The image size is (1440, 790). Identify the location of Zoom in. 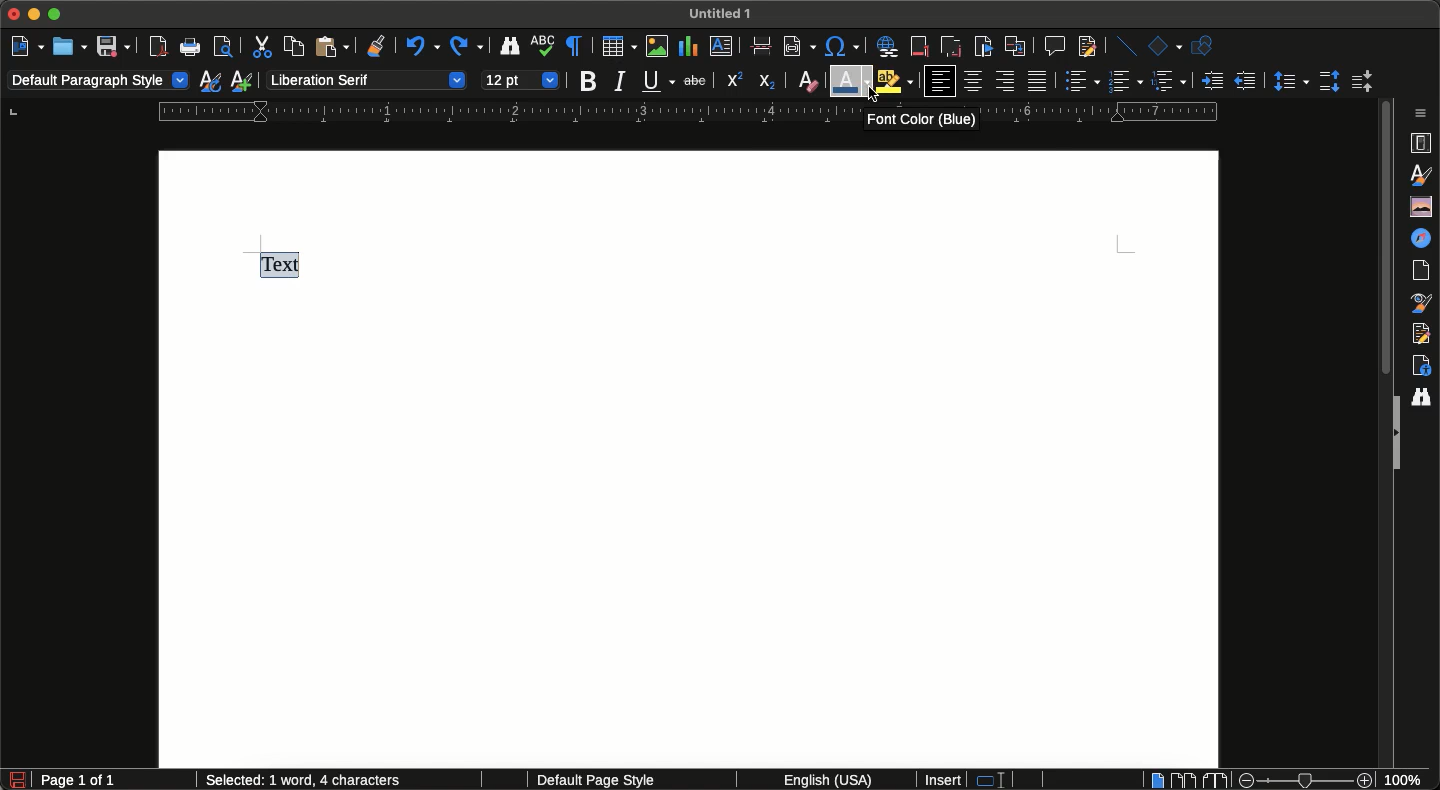
(1367, 781).